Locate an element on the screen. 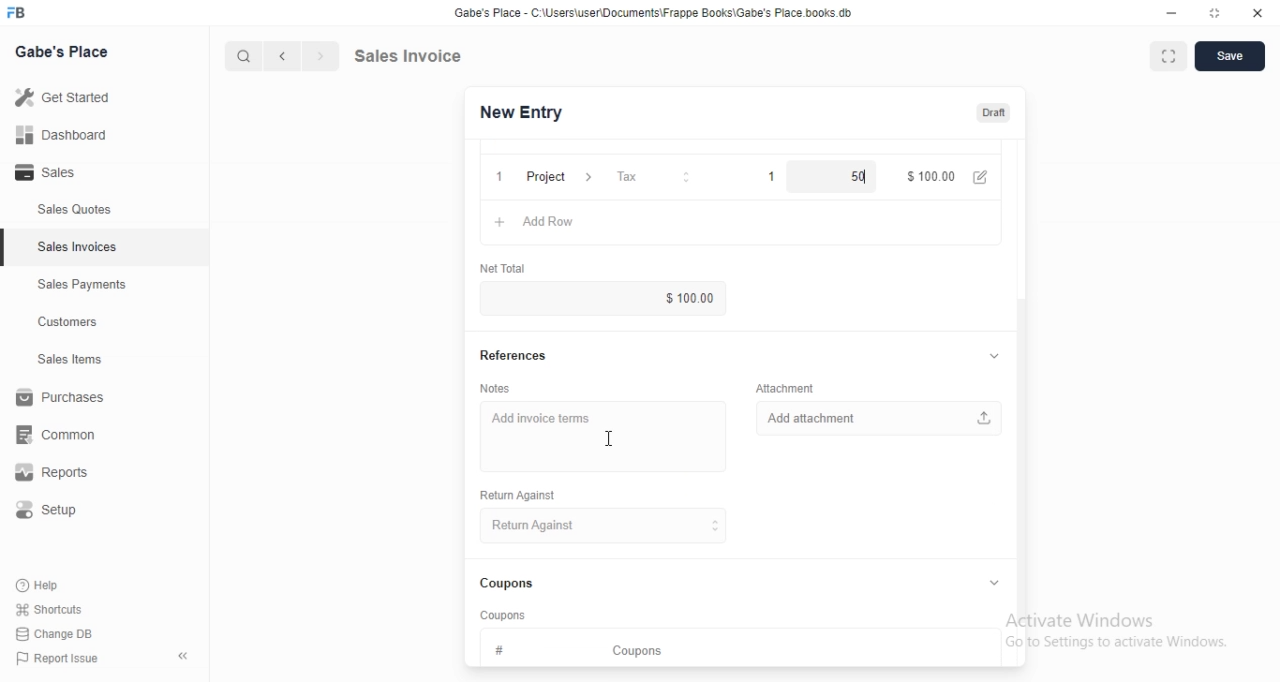  # Coupons is located at coordinates (587, 647).